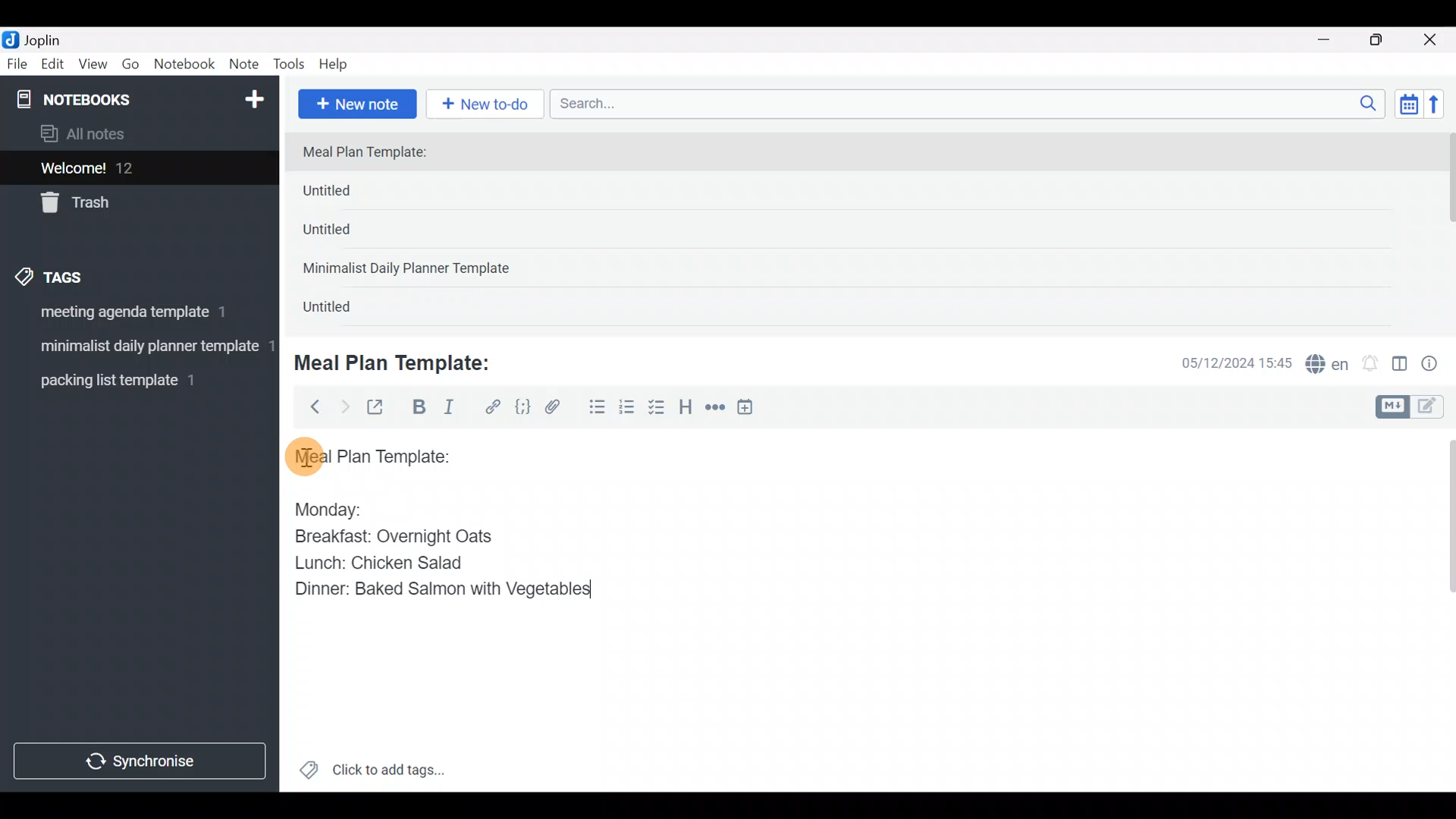  What do you see at coordinates (715, 409) in the screenshot?
I see `Horizontal rule` at bounding box center [715, 409].